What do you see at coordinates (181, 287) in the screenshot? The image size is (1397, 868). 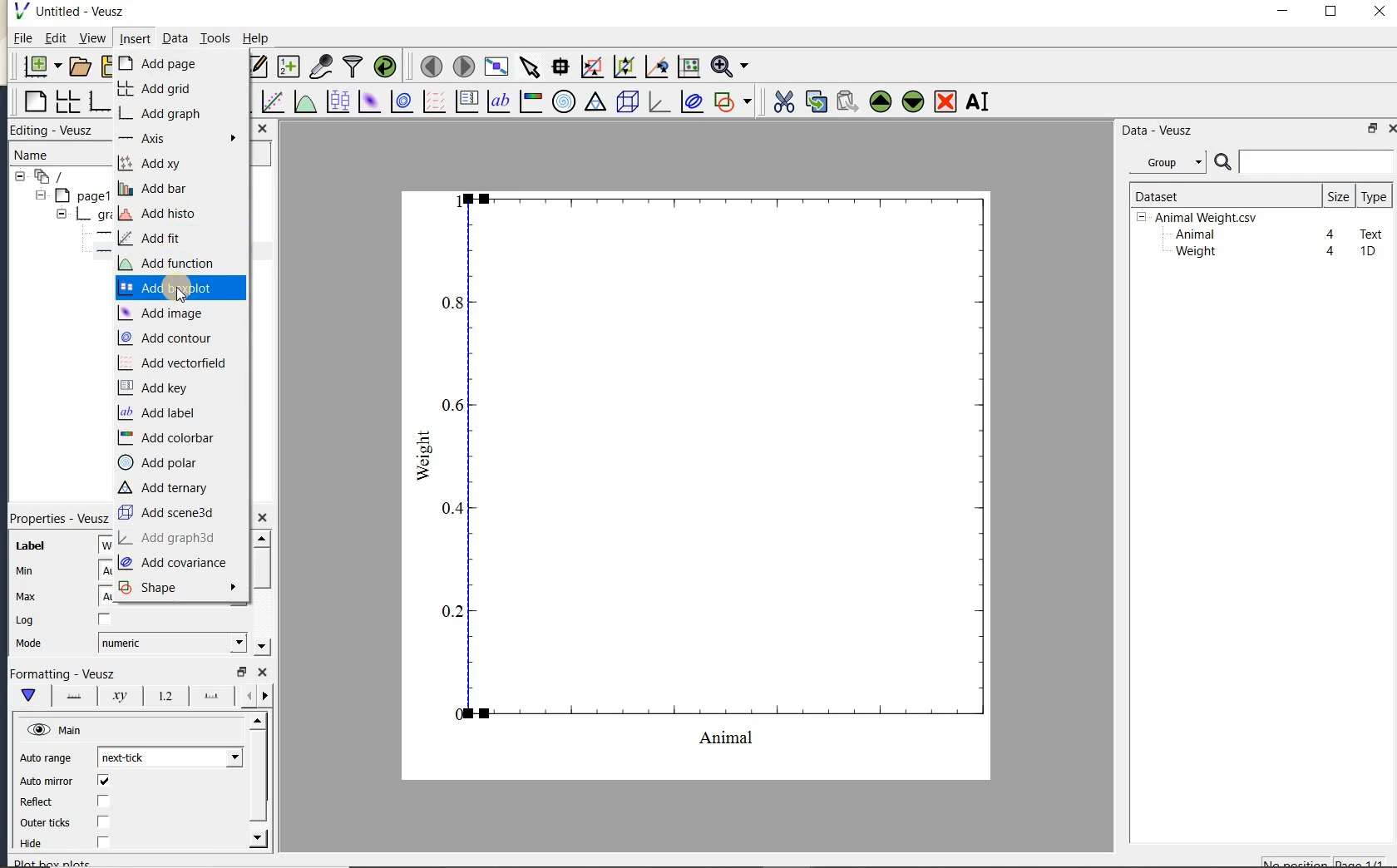 I see `add boxplot` at bounding box center [181, 287].